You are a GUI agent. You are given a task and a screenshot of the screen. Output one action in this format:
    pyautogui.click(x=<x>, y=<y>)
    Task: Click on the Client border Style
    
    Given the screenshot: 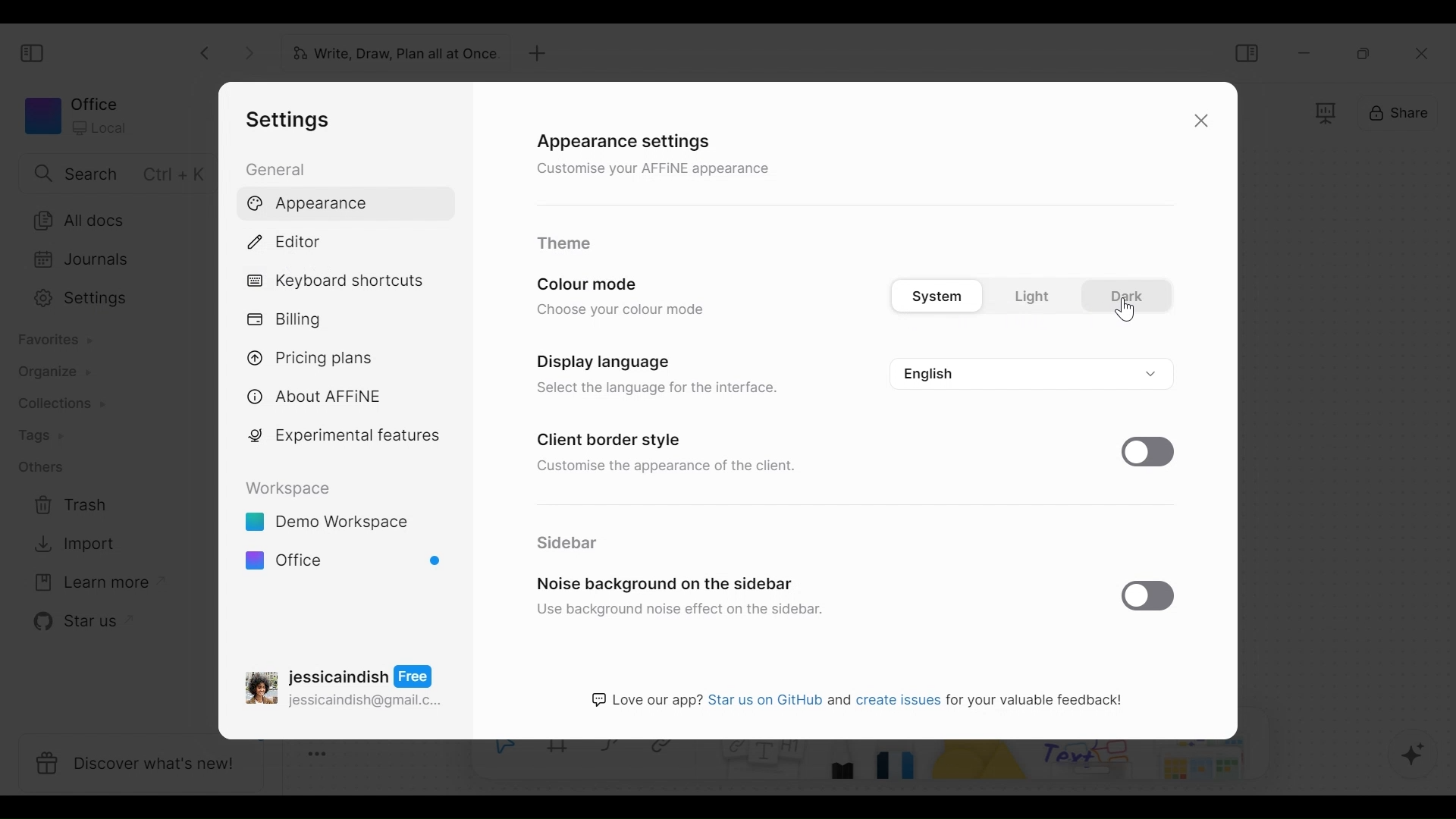 What is the action you would take?
    pyautogui.click(x=666, y=453)
    